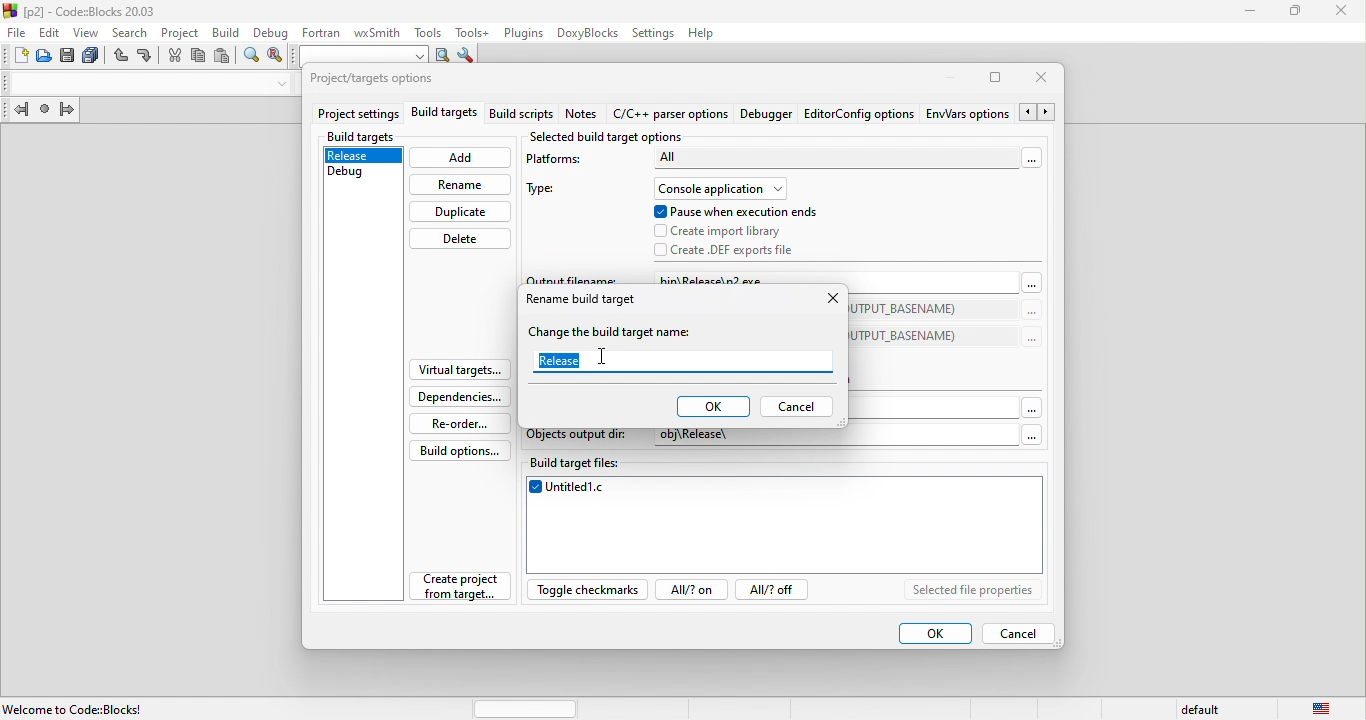 This screenshot has height=720, width=1366. What do you see at coordinates (473, 32) in the screenshot?
I see `tools++` at bounding box center [473, 32].